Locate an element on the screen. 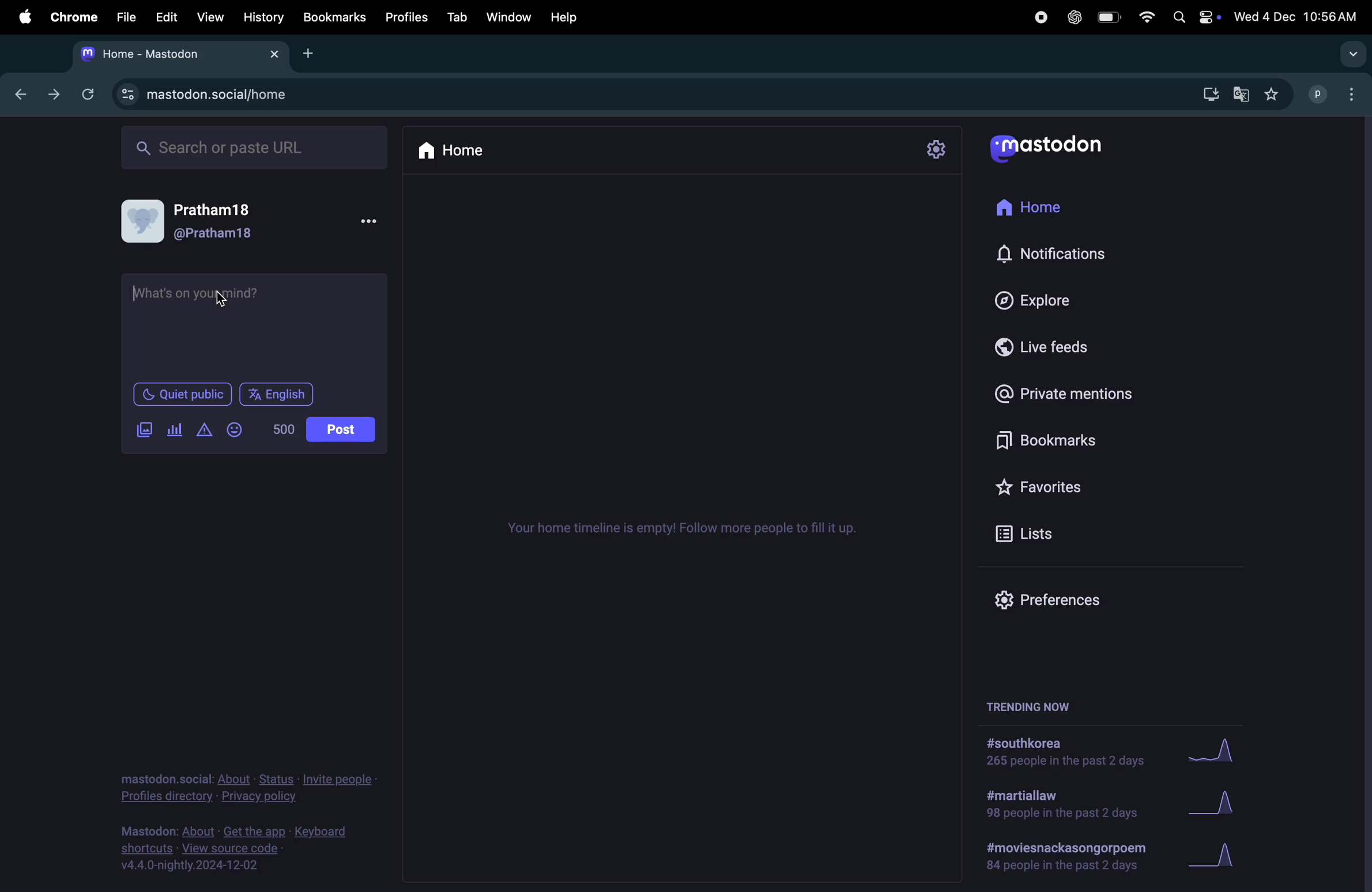 This screenshot has width=1372, height=892. Window is located at coordinates (507, 16).